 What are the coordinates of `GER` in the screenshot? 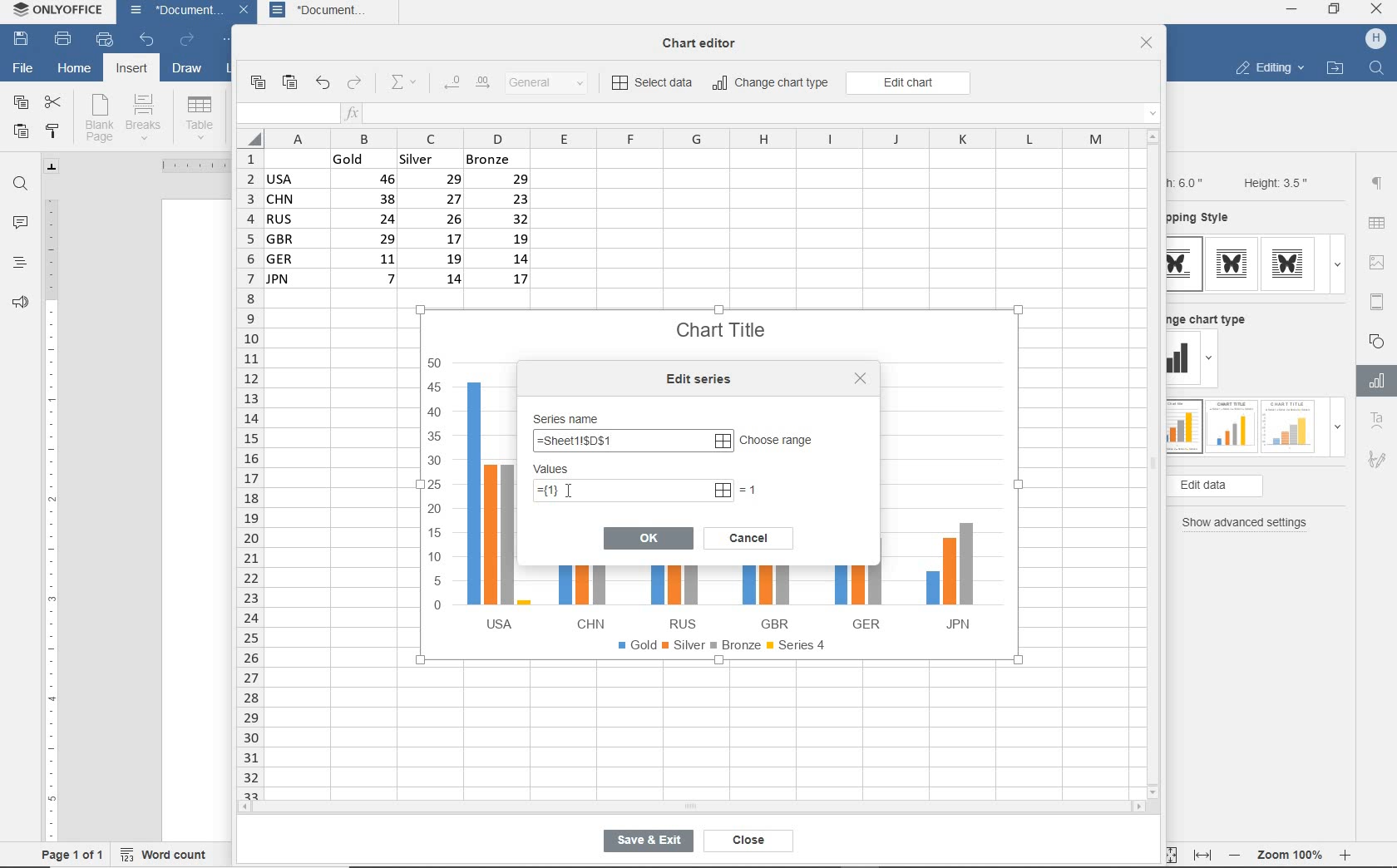 It's located at (856, 593).